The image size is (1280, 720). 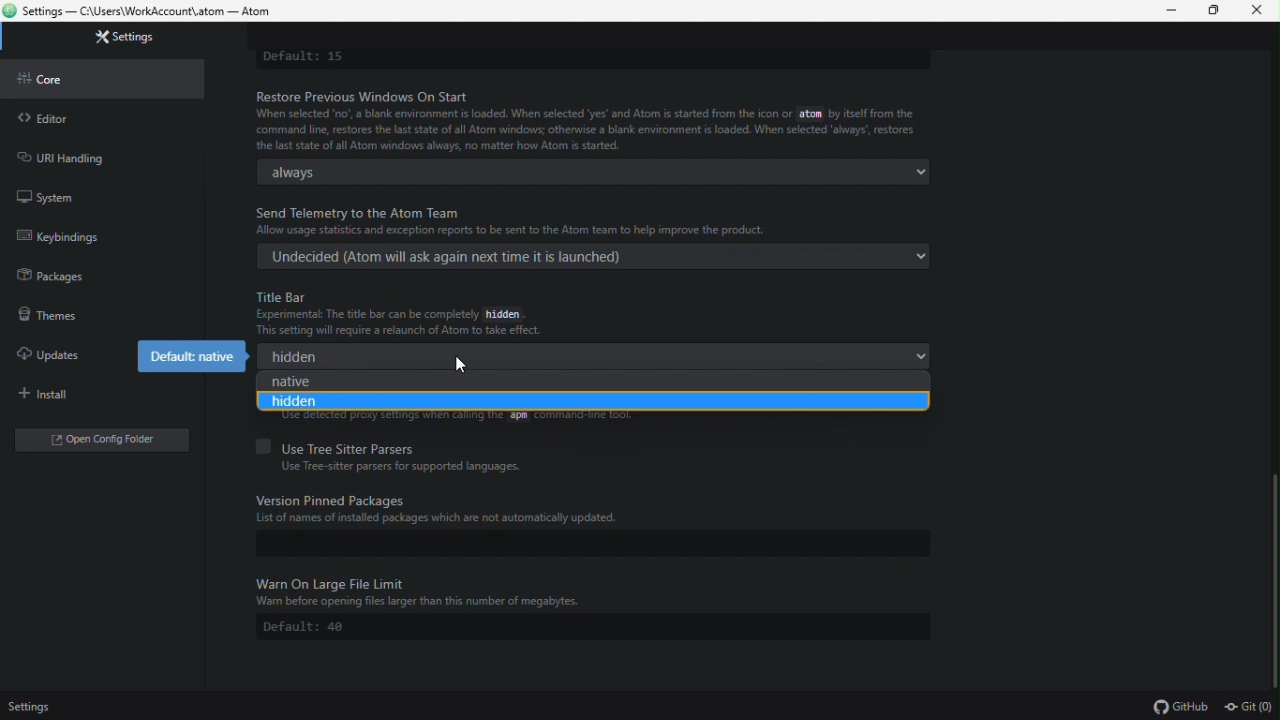 I want to click on URI handling, so click(x=96, y=155).